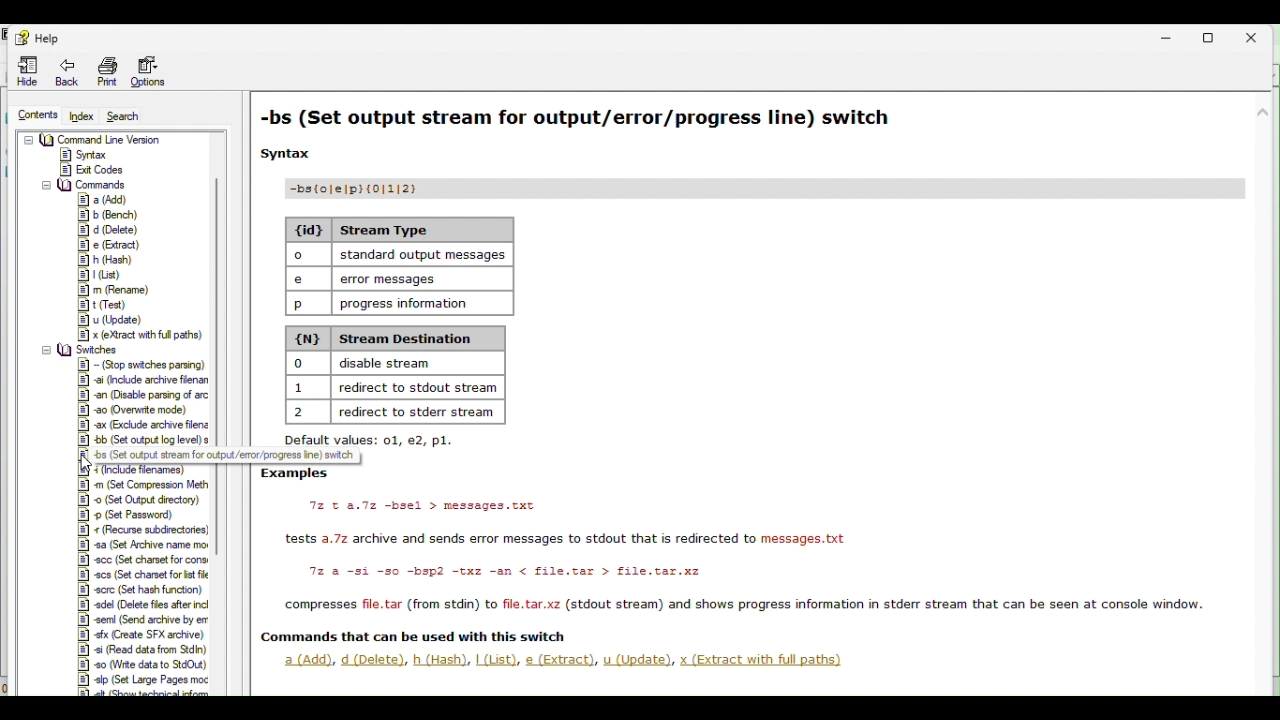 The height and width of the screenshot is (720, 1280). What do you see at coordinates (109, 71) in the screenshot?
I see `print` at bounding box center [109, 71].